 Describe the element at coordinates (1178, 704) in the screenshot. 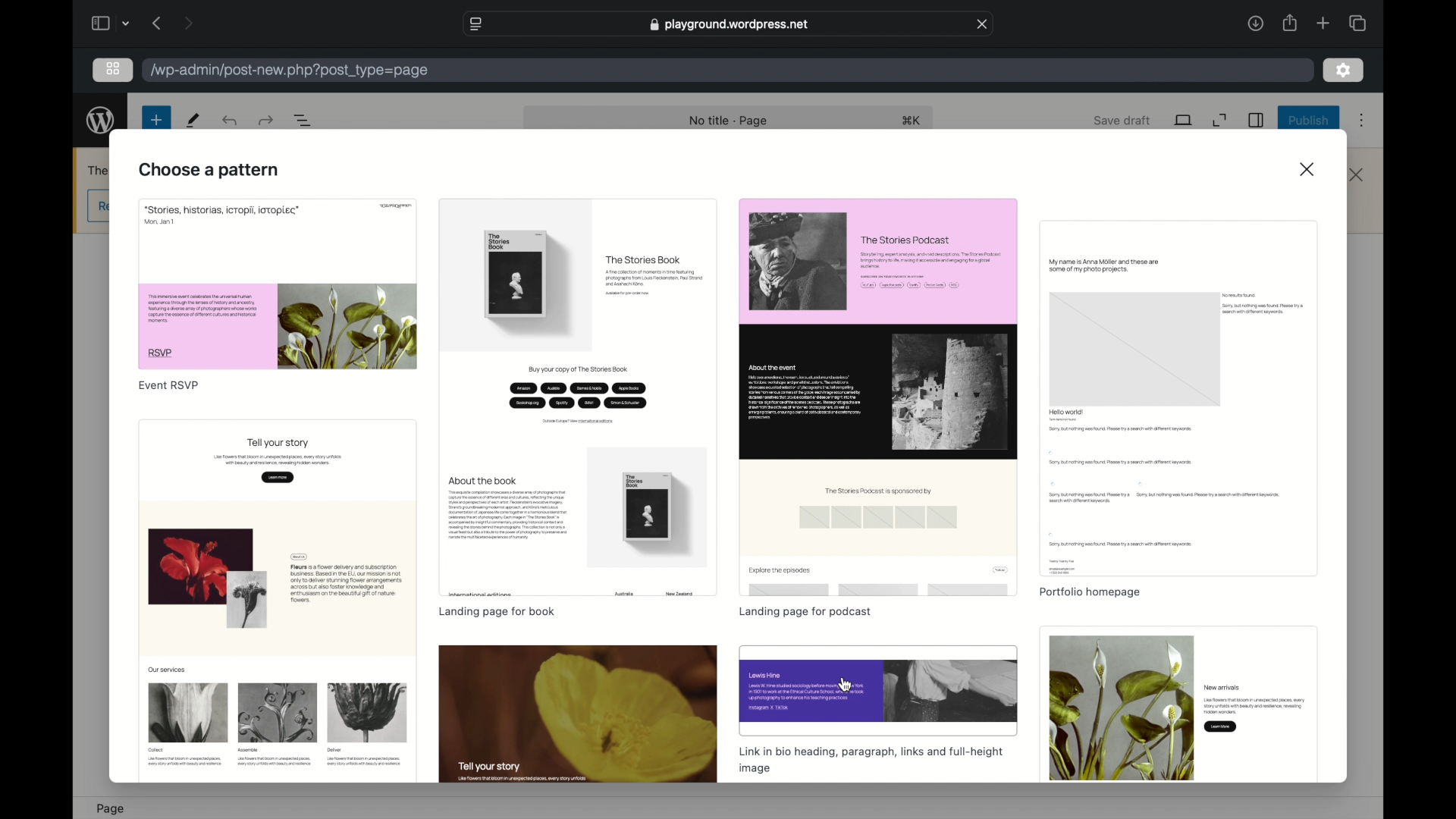

I see `preview` at that location.